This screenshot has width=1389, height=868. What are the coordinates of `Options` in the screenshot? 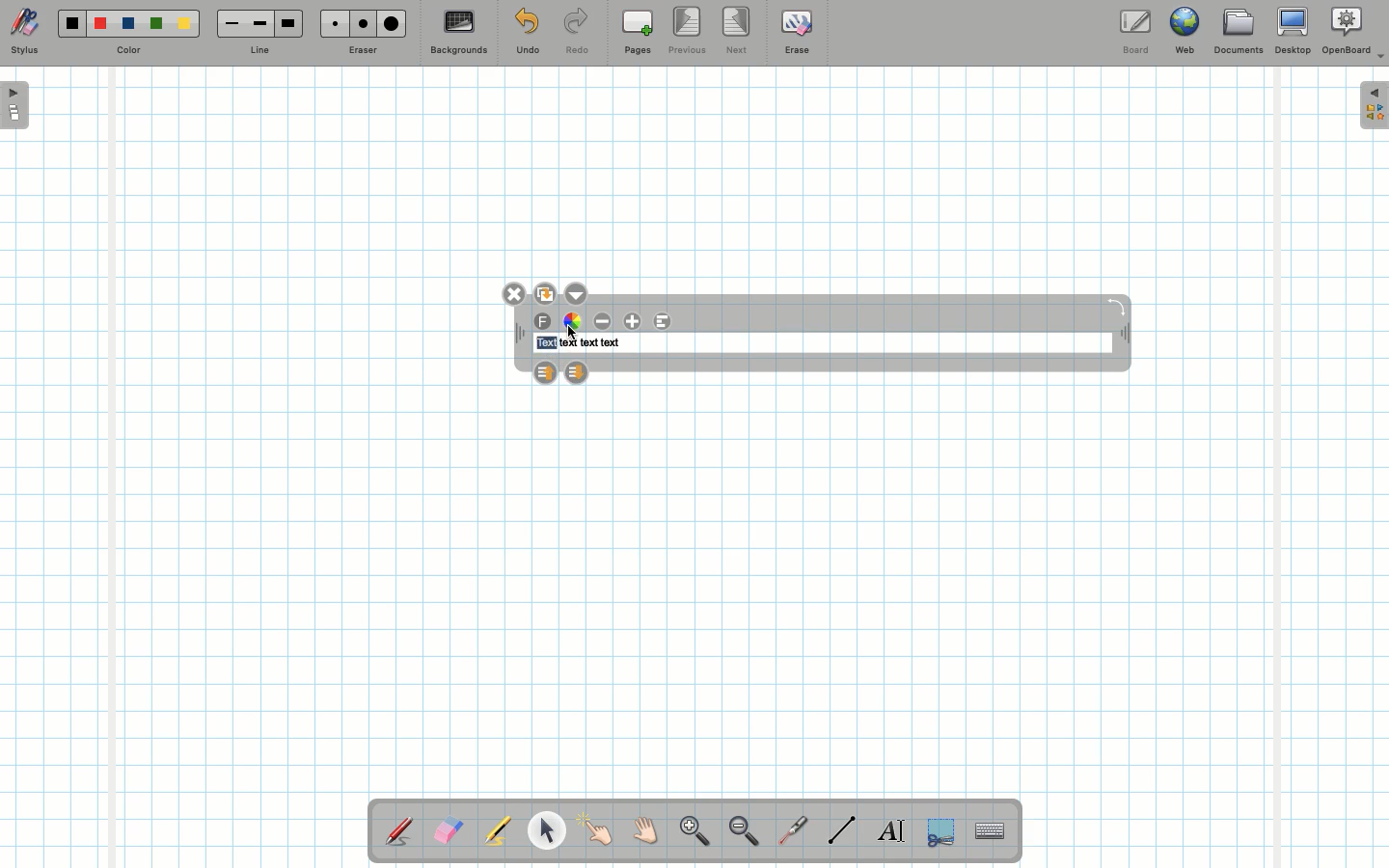 It's located at (576, 292).